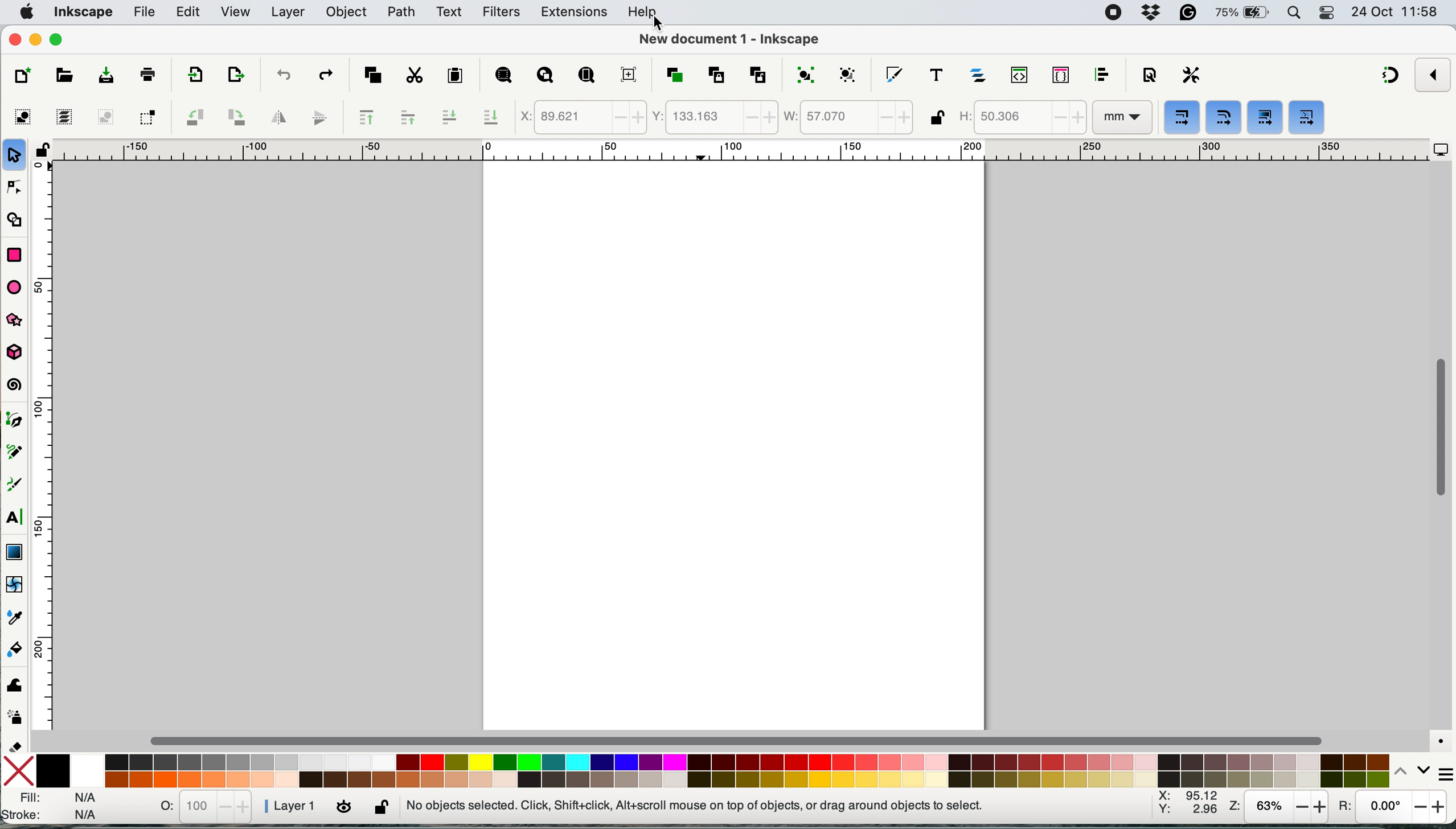  Describe the element at coordinates (242, 120) in the screenshot. I see `object rotate 90` at that location.